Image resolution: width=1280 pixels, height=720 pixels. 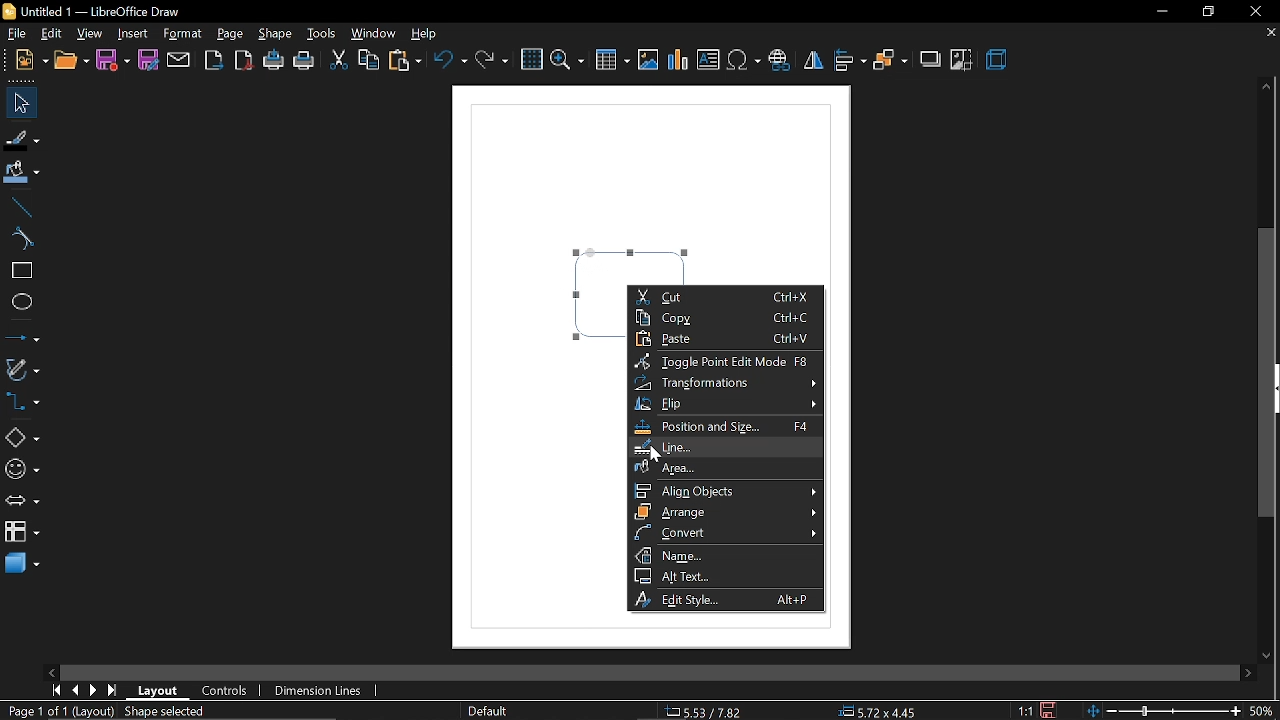 What do you see at coordinates (889, 63) in the screenshot?
I see `arrange` at bounding box center [889, 63].